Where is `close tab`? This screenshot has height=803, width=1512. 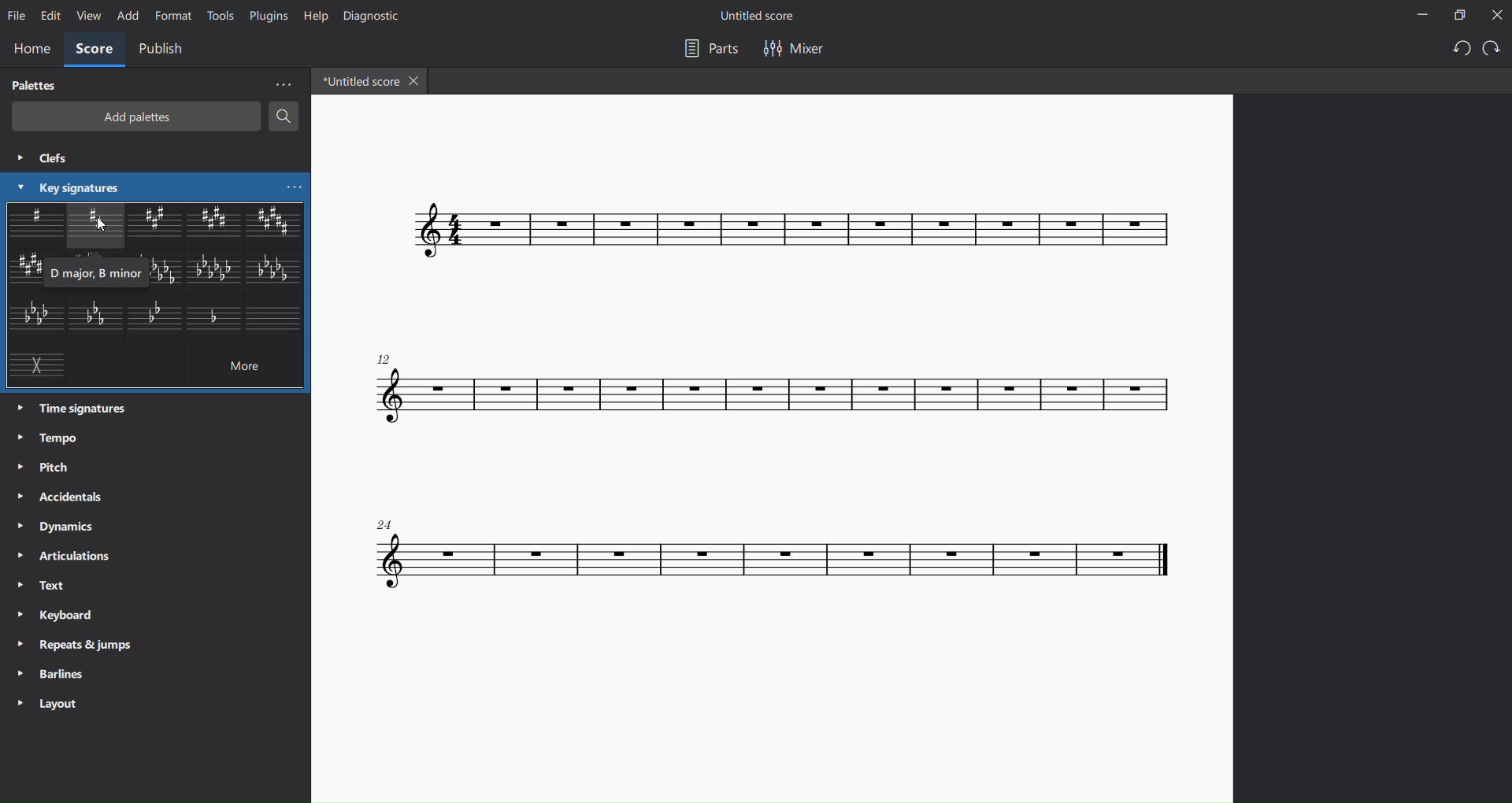 close tab is located at coordinates (416, 82).